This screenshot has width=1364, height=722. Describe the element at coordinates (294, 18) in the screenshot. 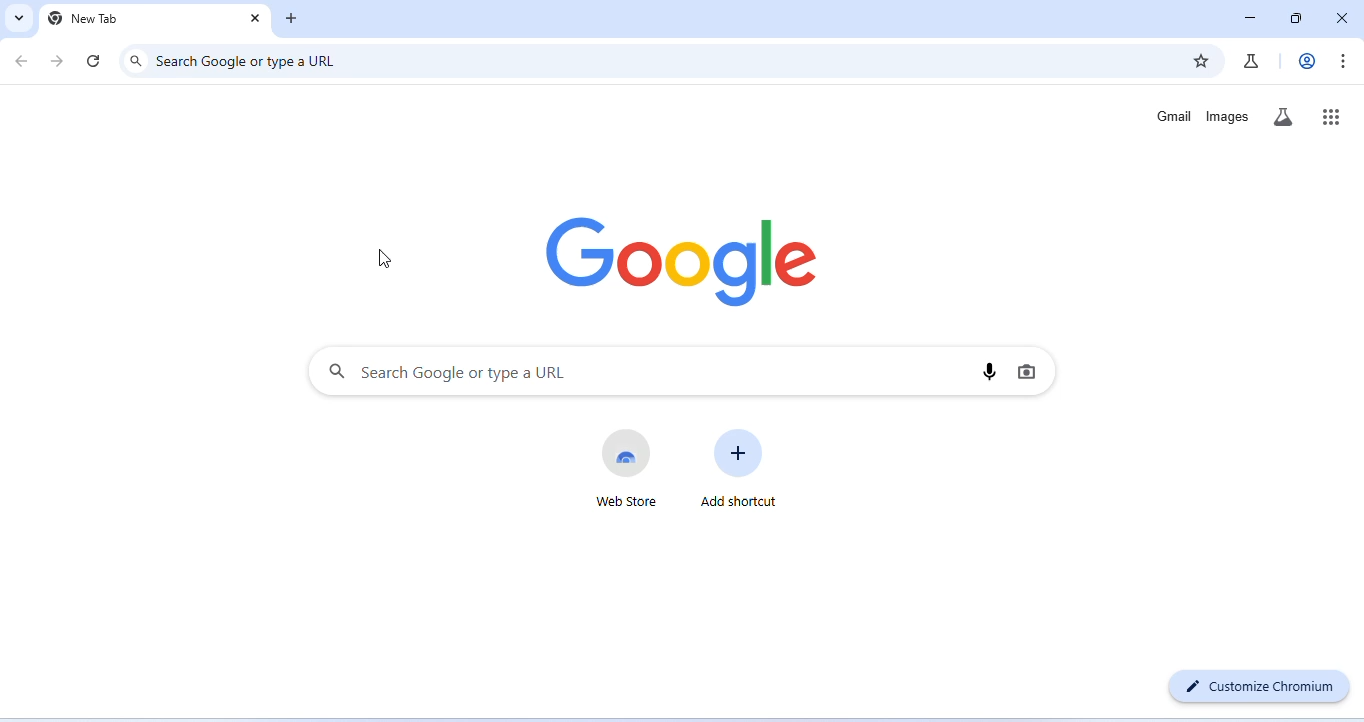

I see `add new tab` at that location.